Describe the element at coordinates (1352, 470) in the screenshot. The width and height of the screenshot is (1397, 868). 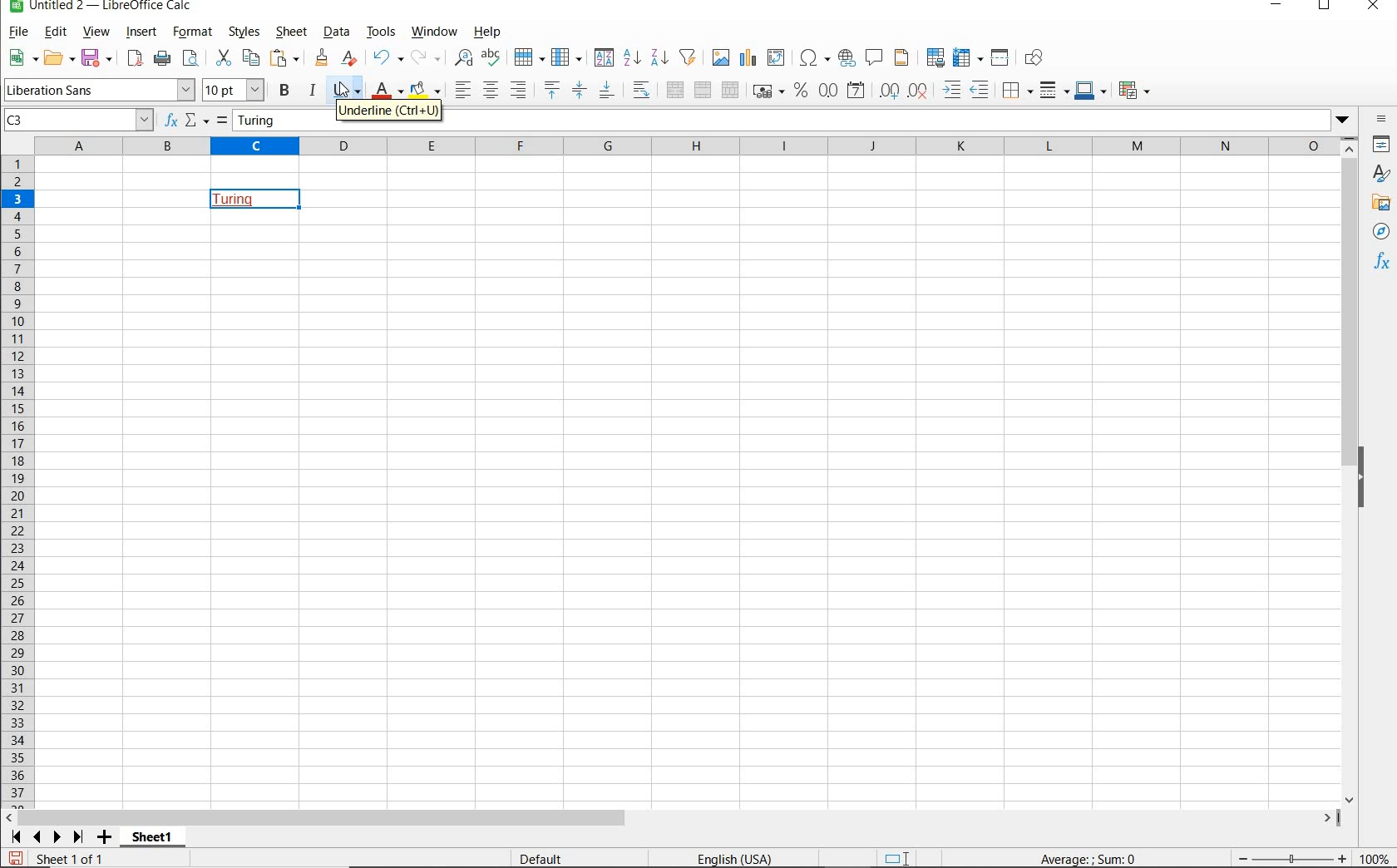
I see `SCROLLBAR` at that location.